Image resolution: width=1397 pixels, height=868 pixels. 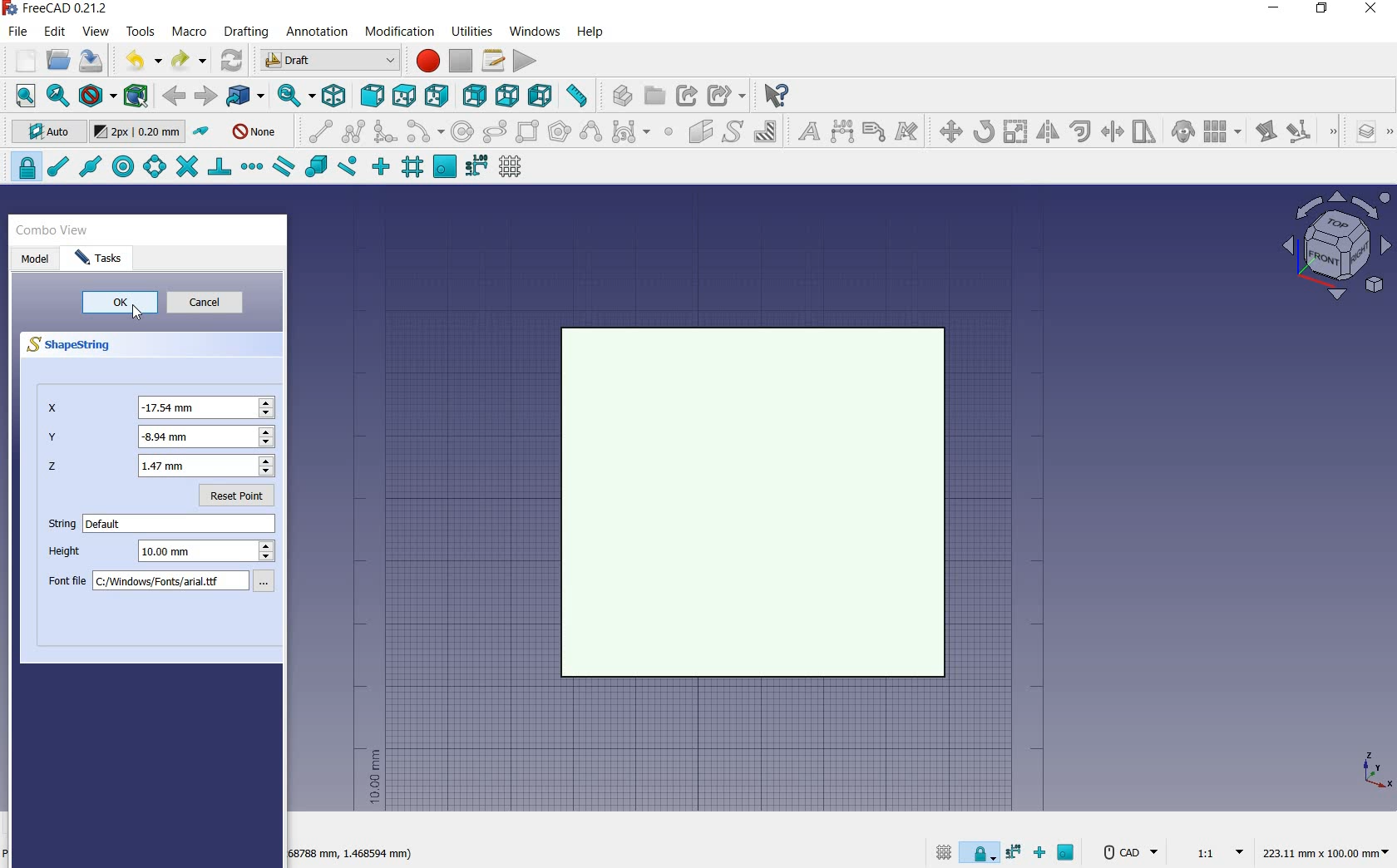 I want to click on z scaling, so click(x=160, y=468).